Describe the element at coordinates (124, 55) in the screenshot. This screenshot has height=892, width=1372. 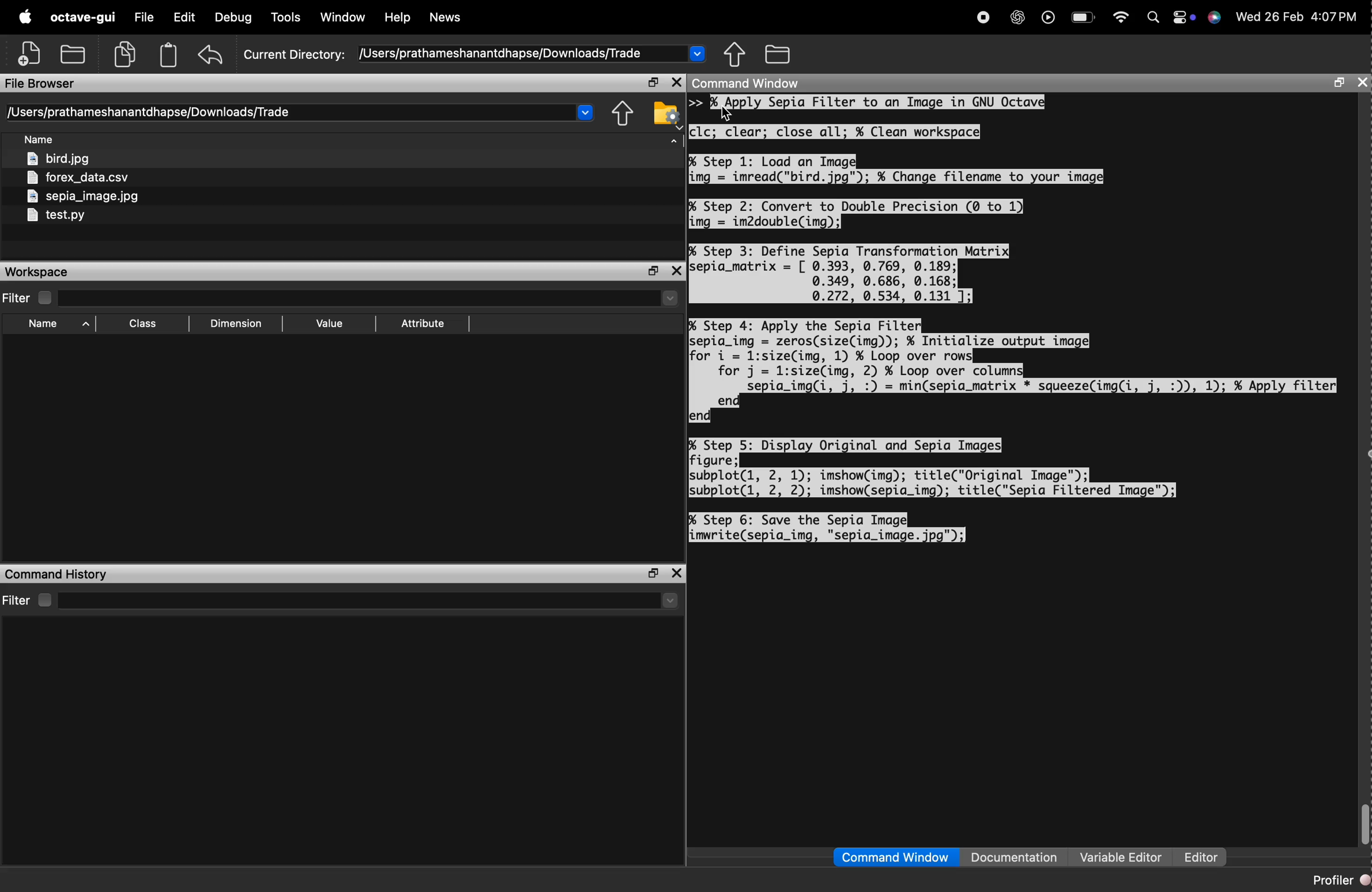
I see `copy` at that location.